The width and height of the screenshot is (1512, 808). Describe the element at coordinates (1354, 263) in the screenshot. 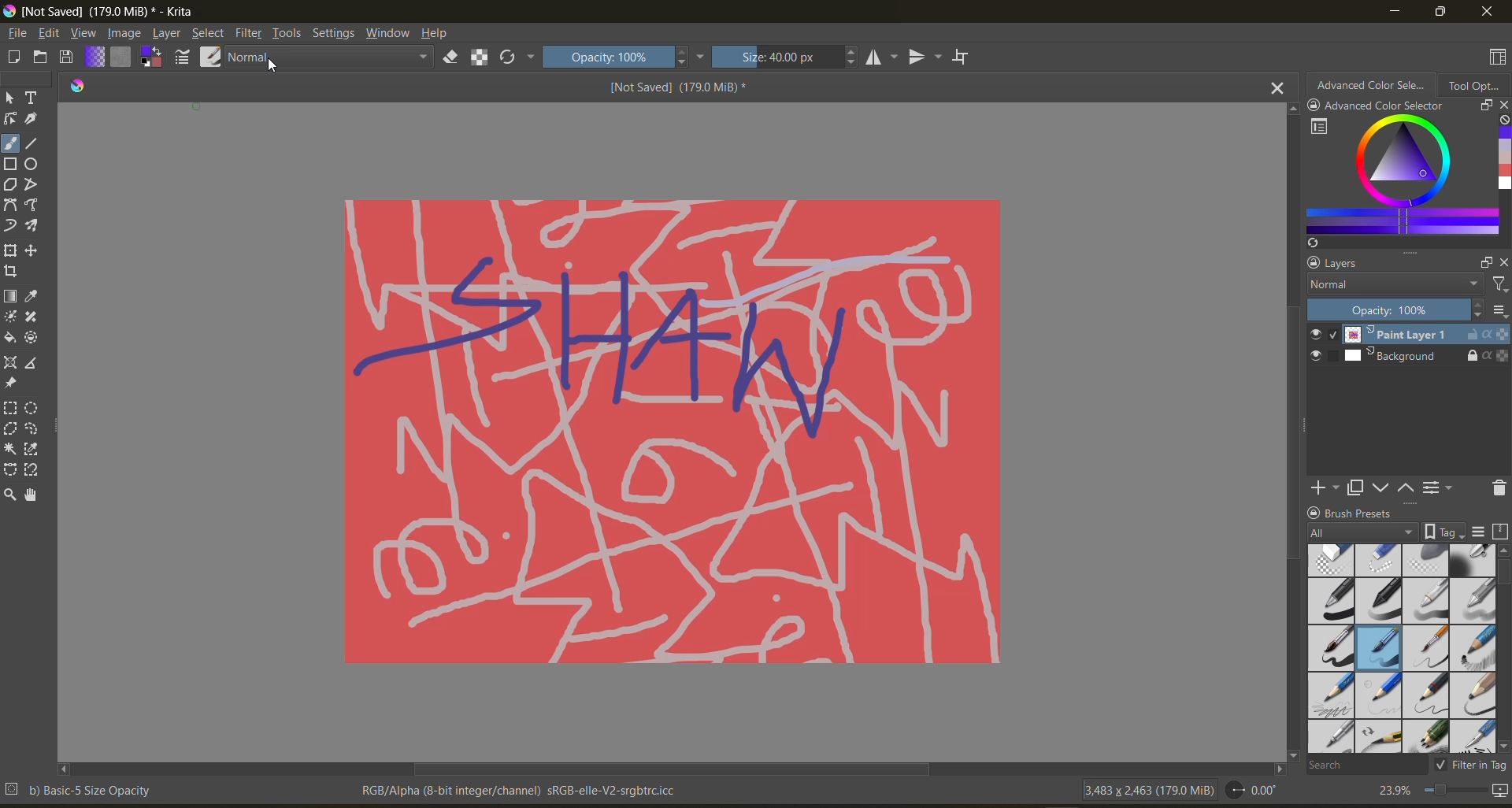

I see `layers` at that location.